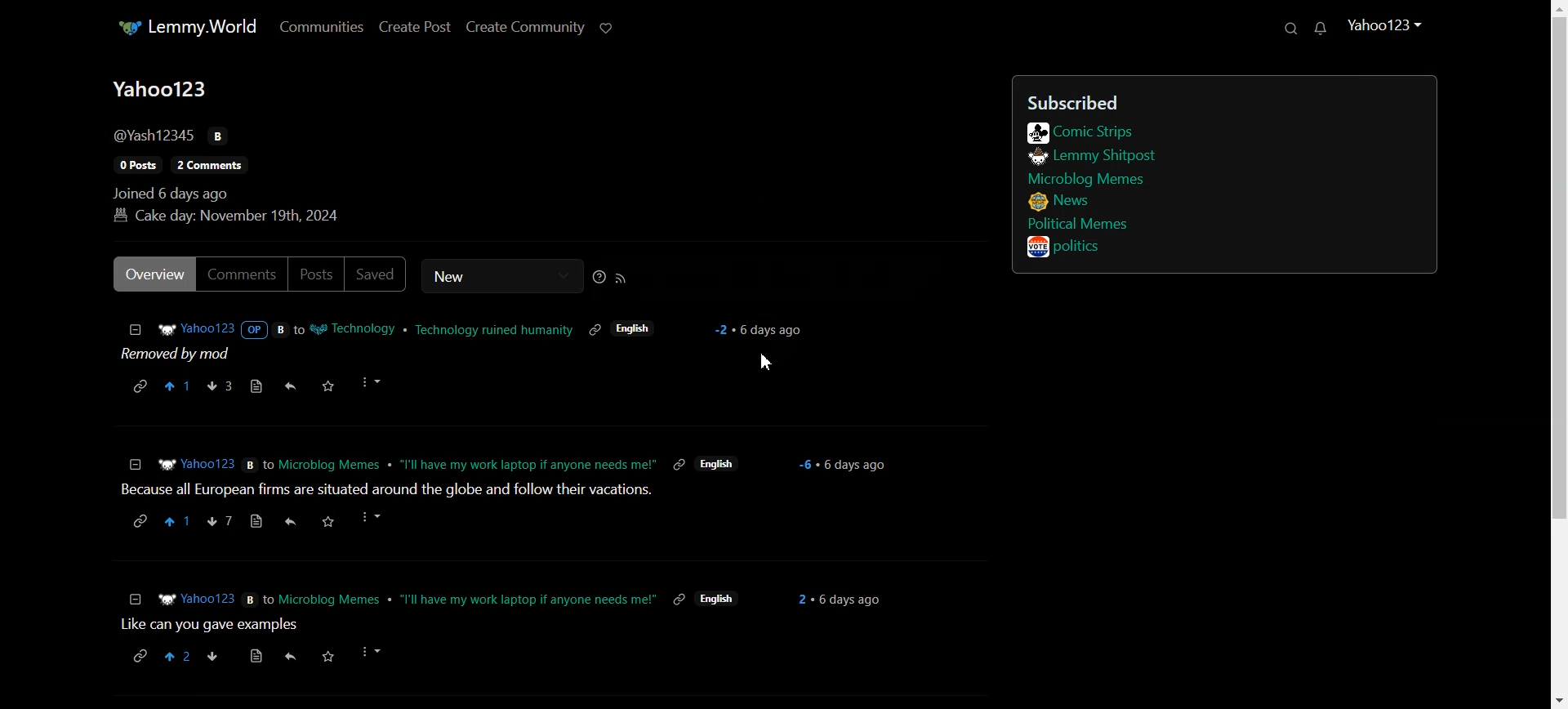  I want to click on 6 days ago, so click(847, 597).